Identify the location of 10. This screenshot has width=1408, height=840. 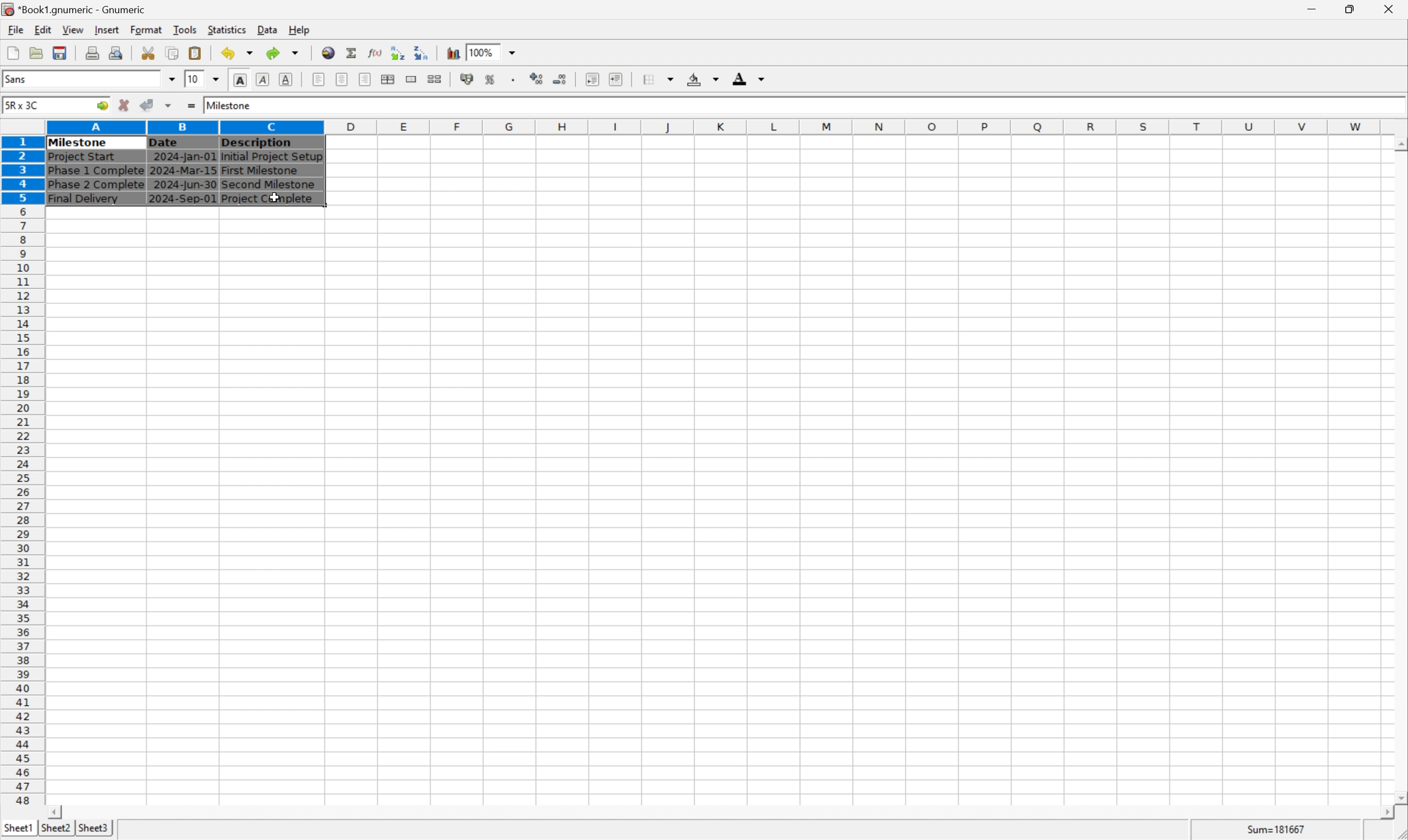
(192, 79).